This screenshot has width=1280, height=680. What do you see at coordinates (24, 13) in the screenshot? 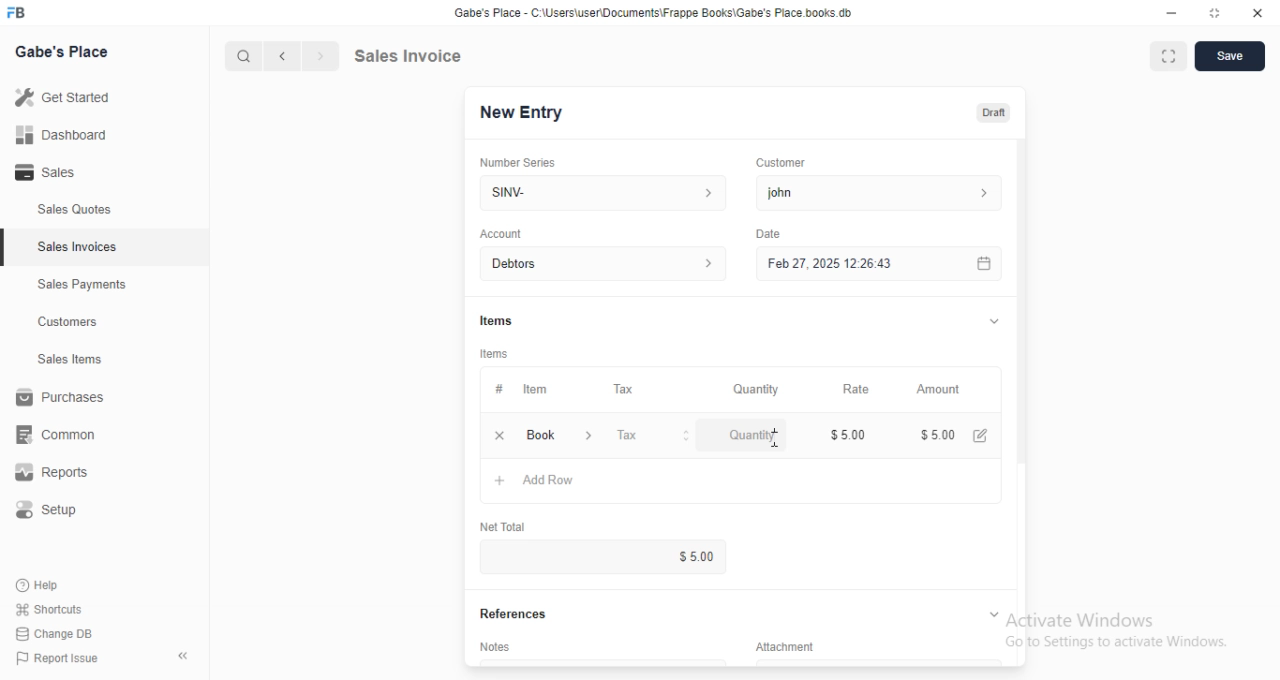
I see `Logo` at bounding box center [24, 13].